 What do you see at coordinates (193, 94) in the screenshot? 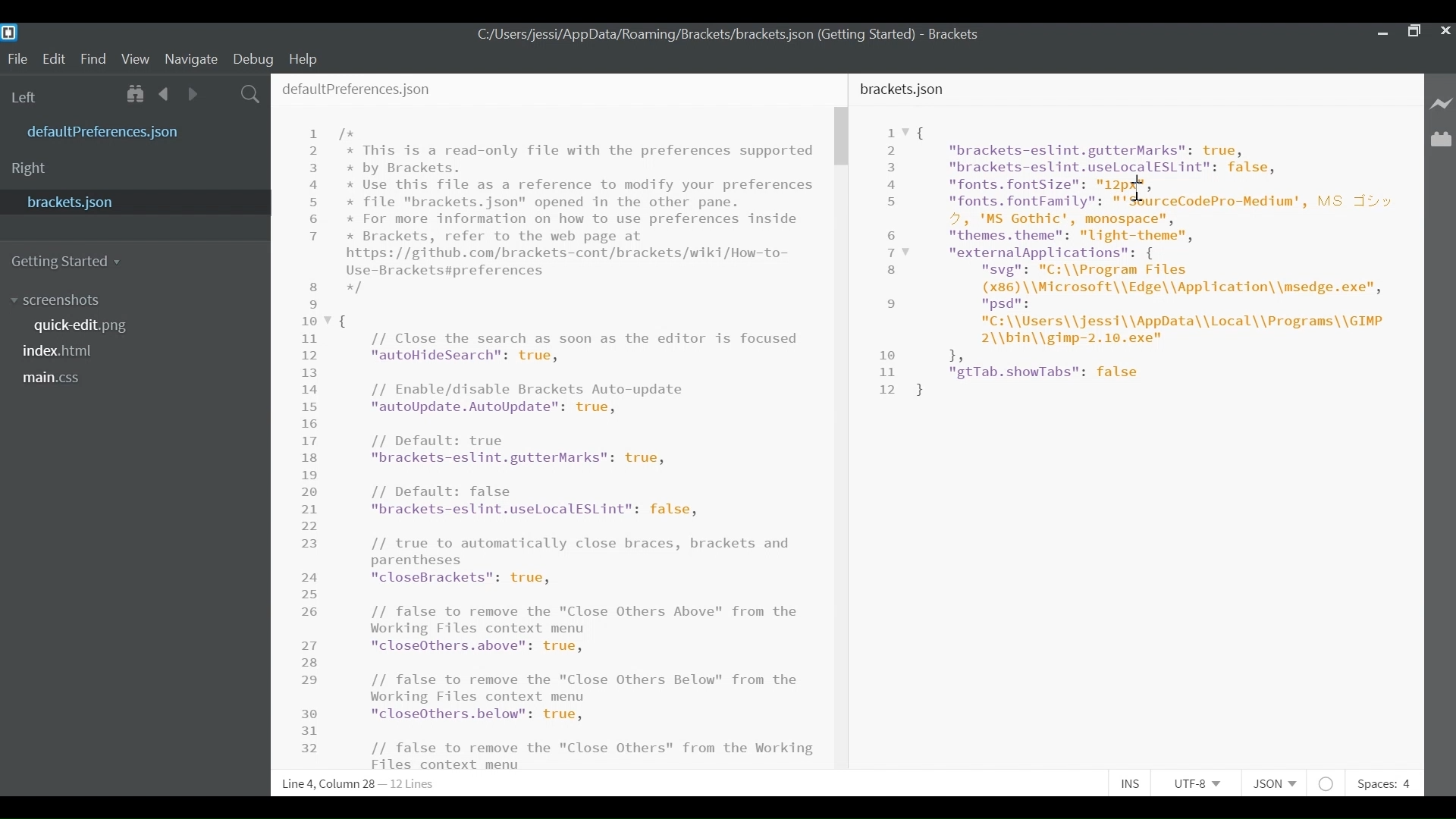
I see `Navigate Forward` at bounding box center [193, 94].